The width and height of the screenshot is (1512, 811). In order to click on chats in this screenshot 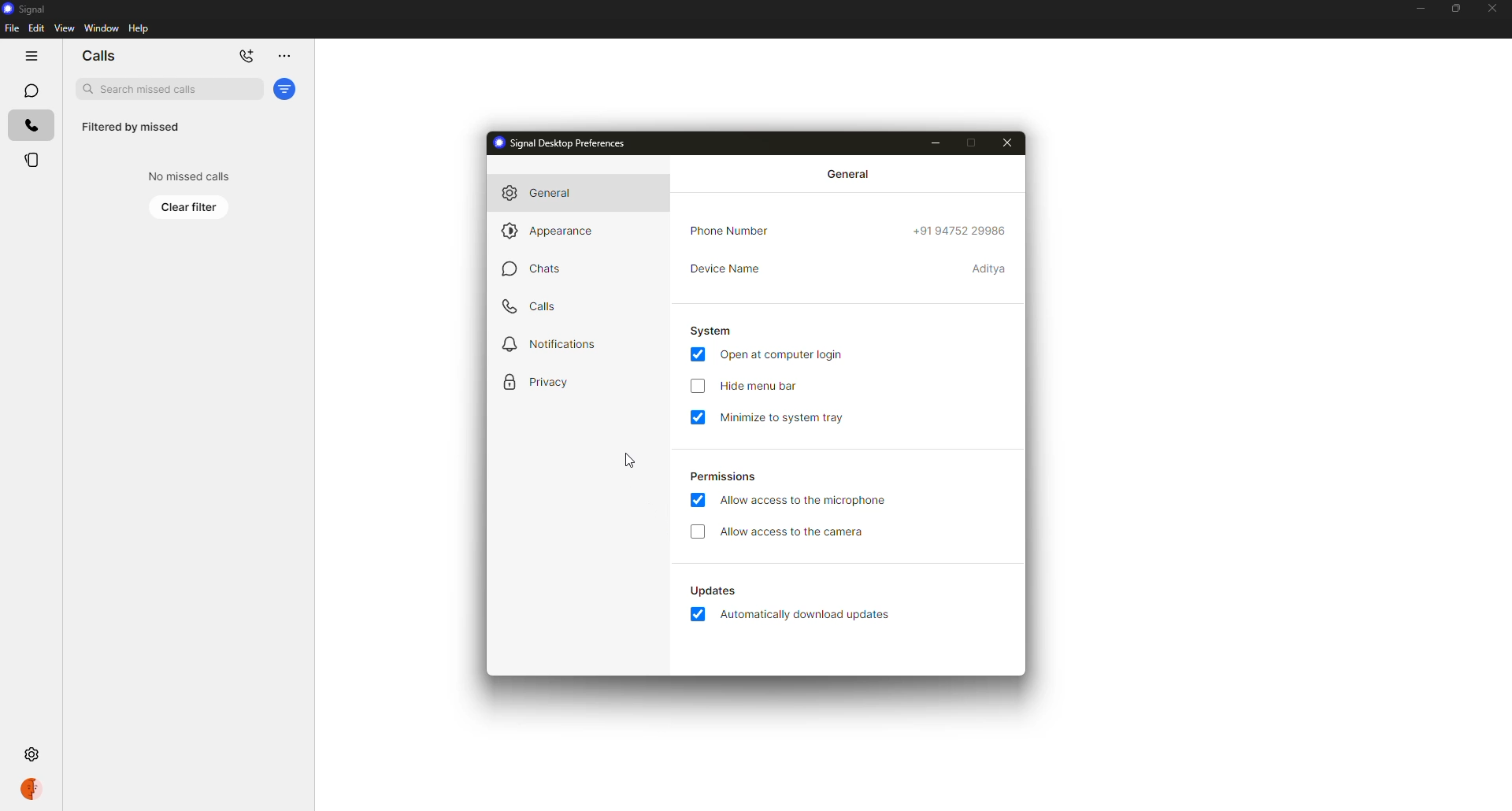, I will do `click(532, 268)`.